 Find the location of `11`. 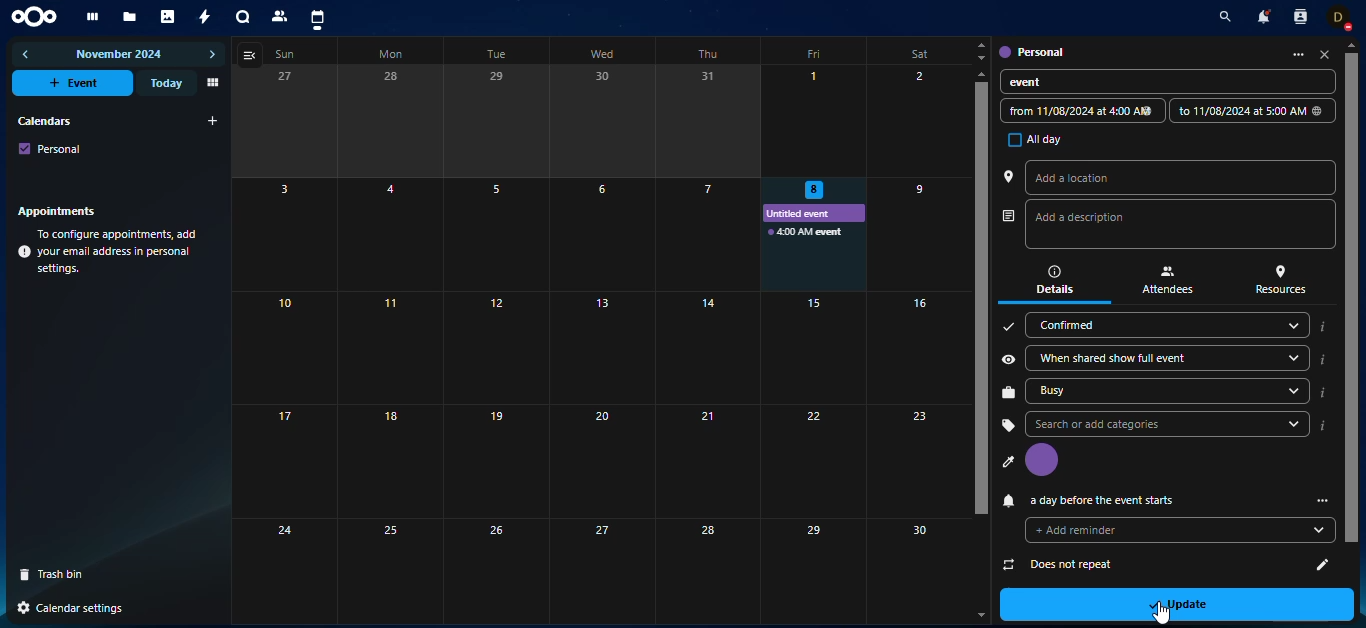

11 is located at coordinates (387, 348).